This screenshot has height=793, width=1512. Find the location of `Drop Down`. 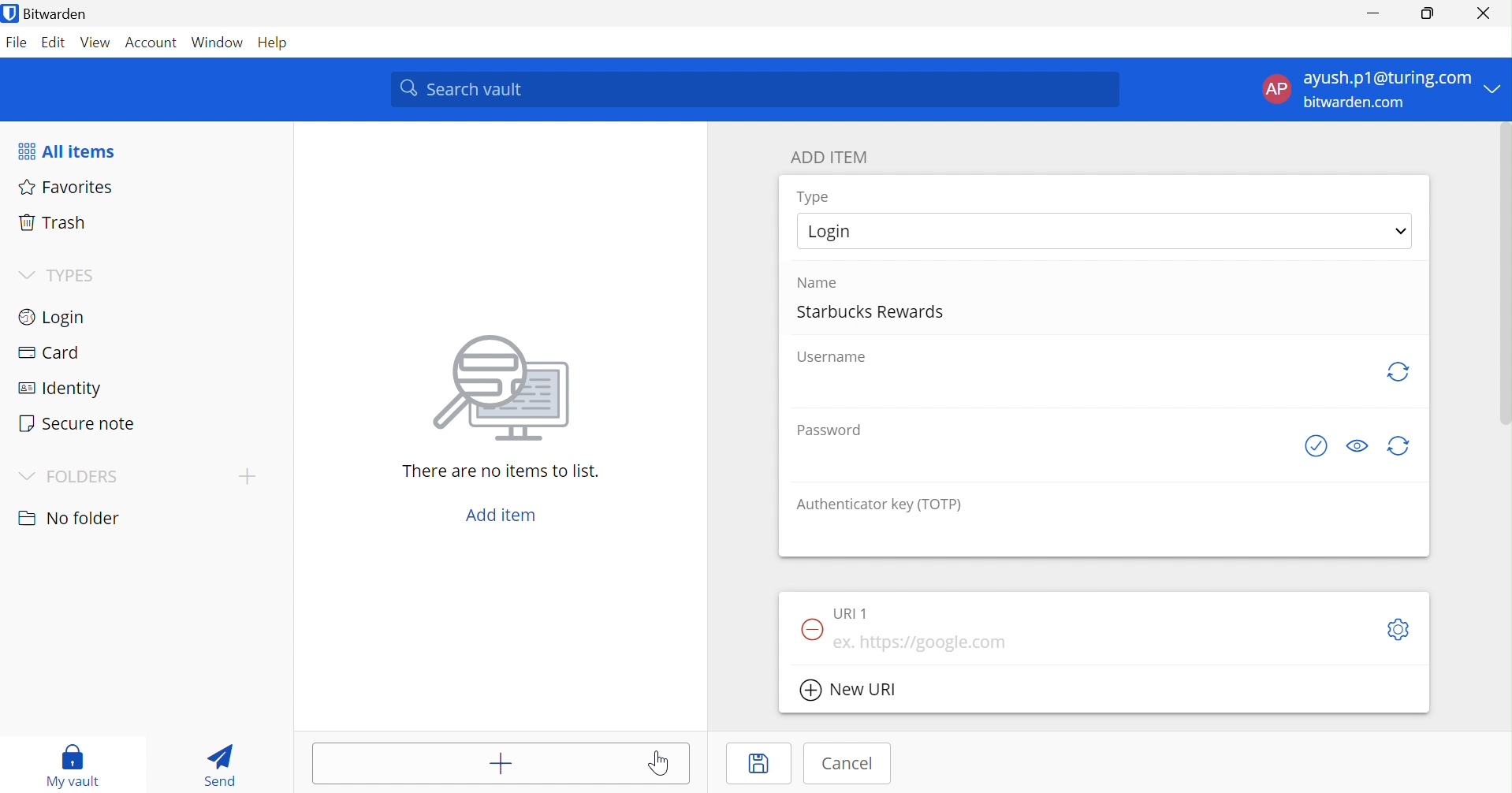

Drop Down is located at coordinates (1403, 232).